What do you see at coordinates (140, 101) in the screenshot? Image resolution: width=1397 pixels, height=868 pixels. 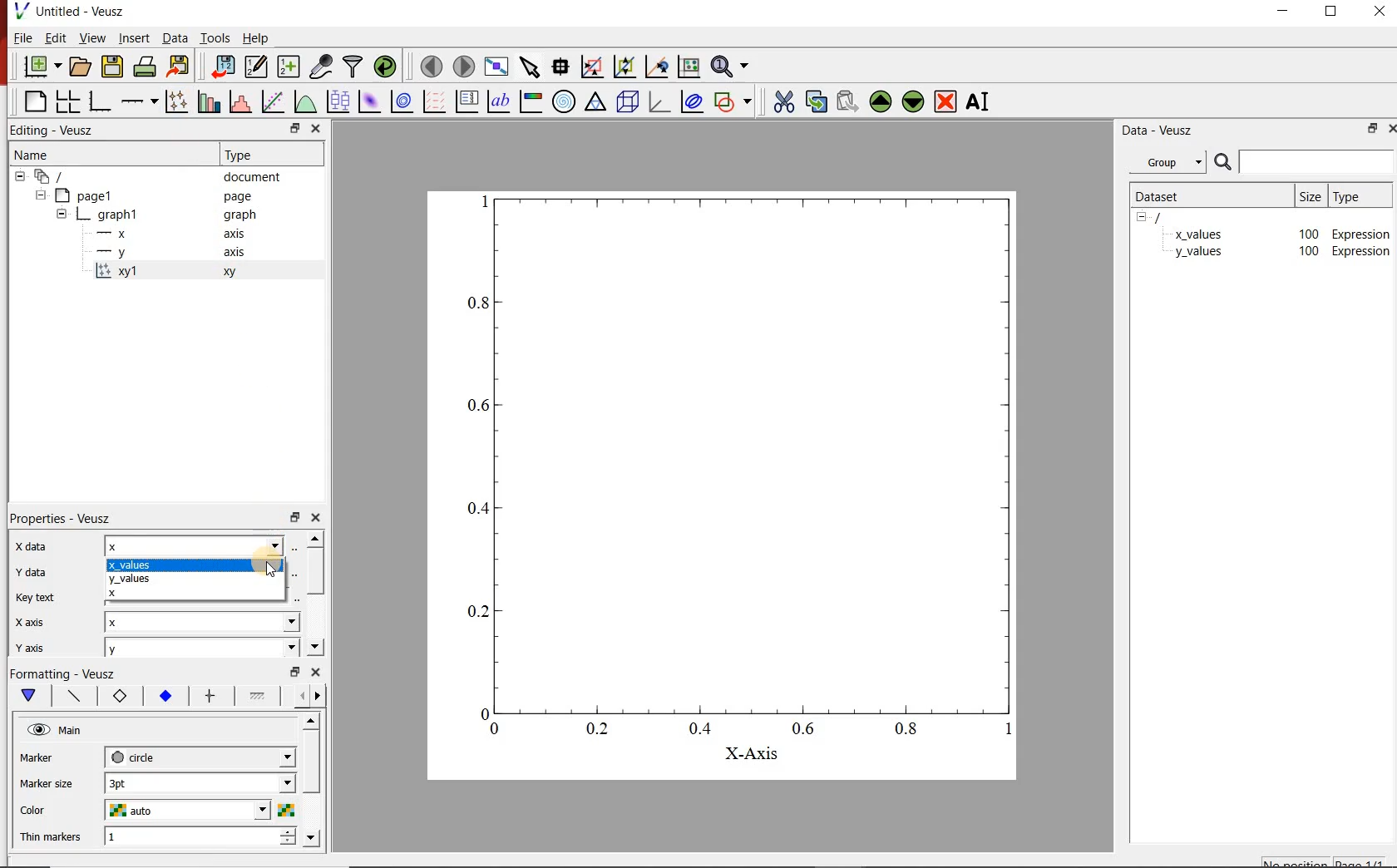 I see `add axis on the plot` at bounding box center [140, 101].